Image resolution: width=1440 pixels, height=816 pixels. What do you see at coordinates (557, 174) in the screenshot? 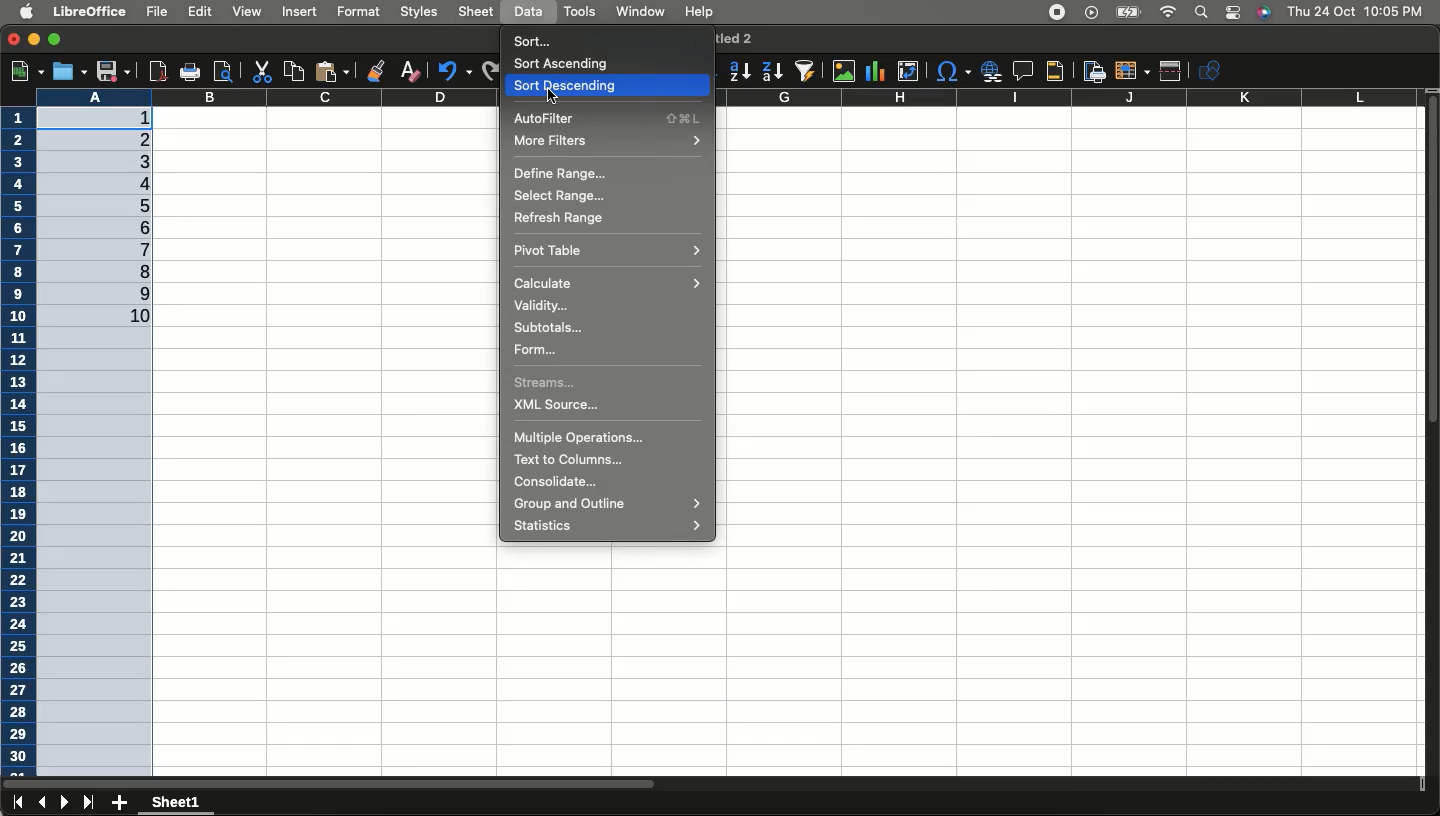
I see `Define range...` at bounding box center [557, 174].